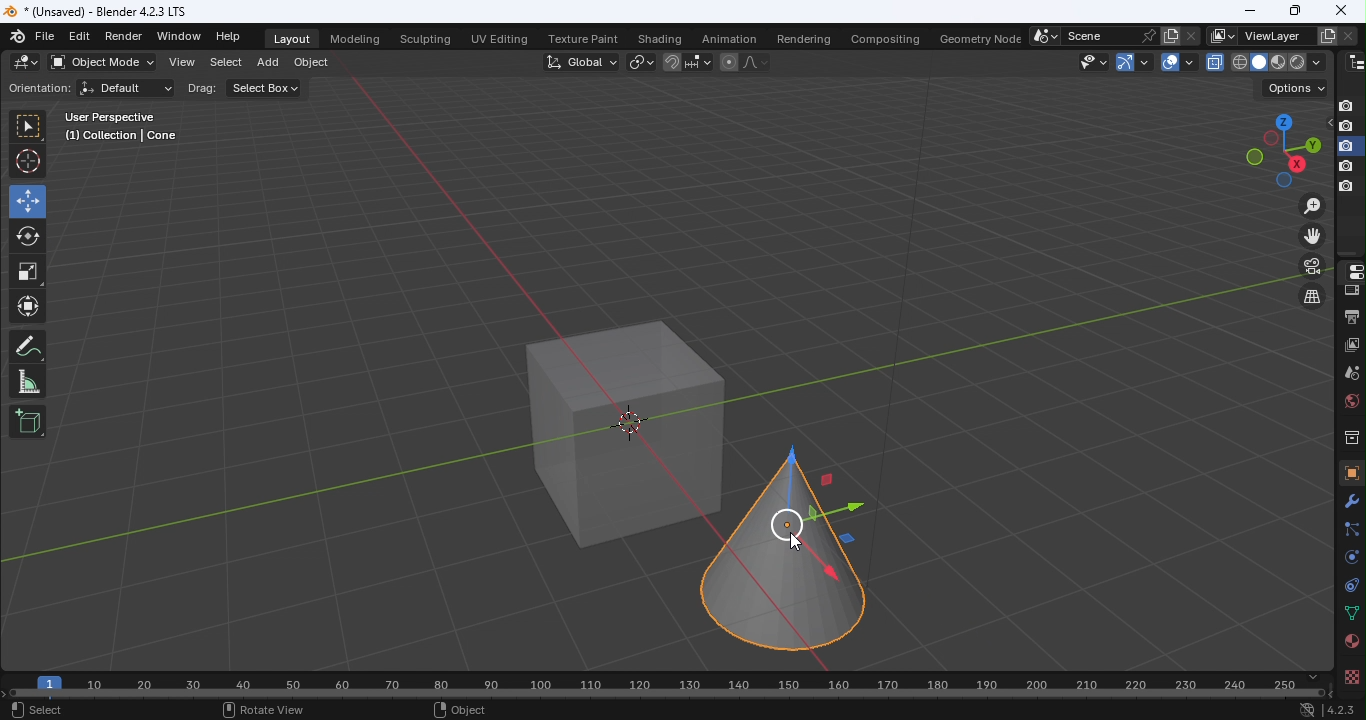  What do you see at coordinates (1350, 528) in the screenshot?
I see `Particles` at bounding box center [1350, 528].